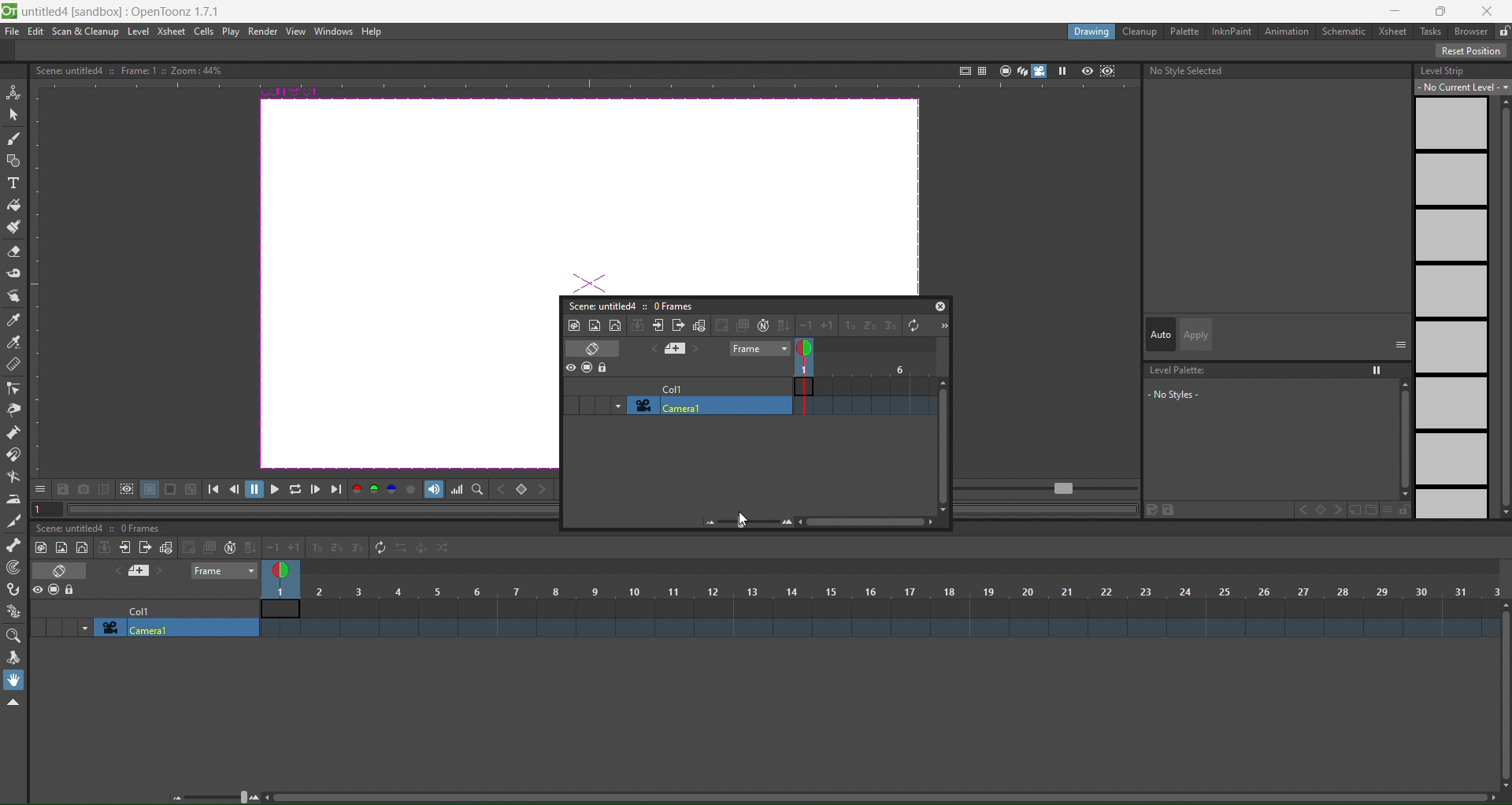 This screenshot has height=805, width=1512. What do you see at coordinates (60, 548) in the screenshot?
I see `ew raster level` at bounding box center [60, 548].